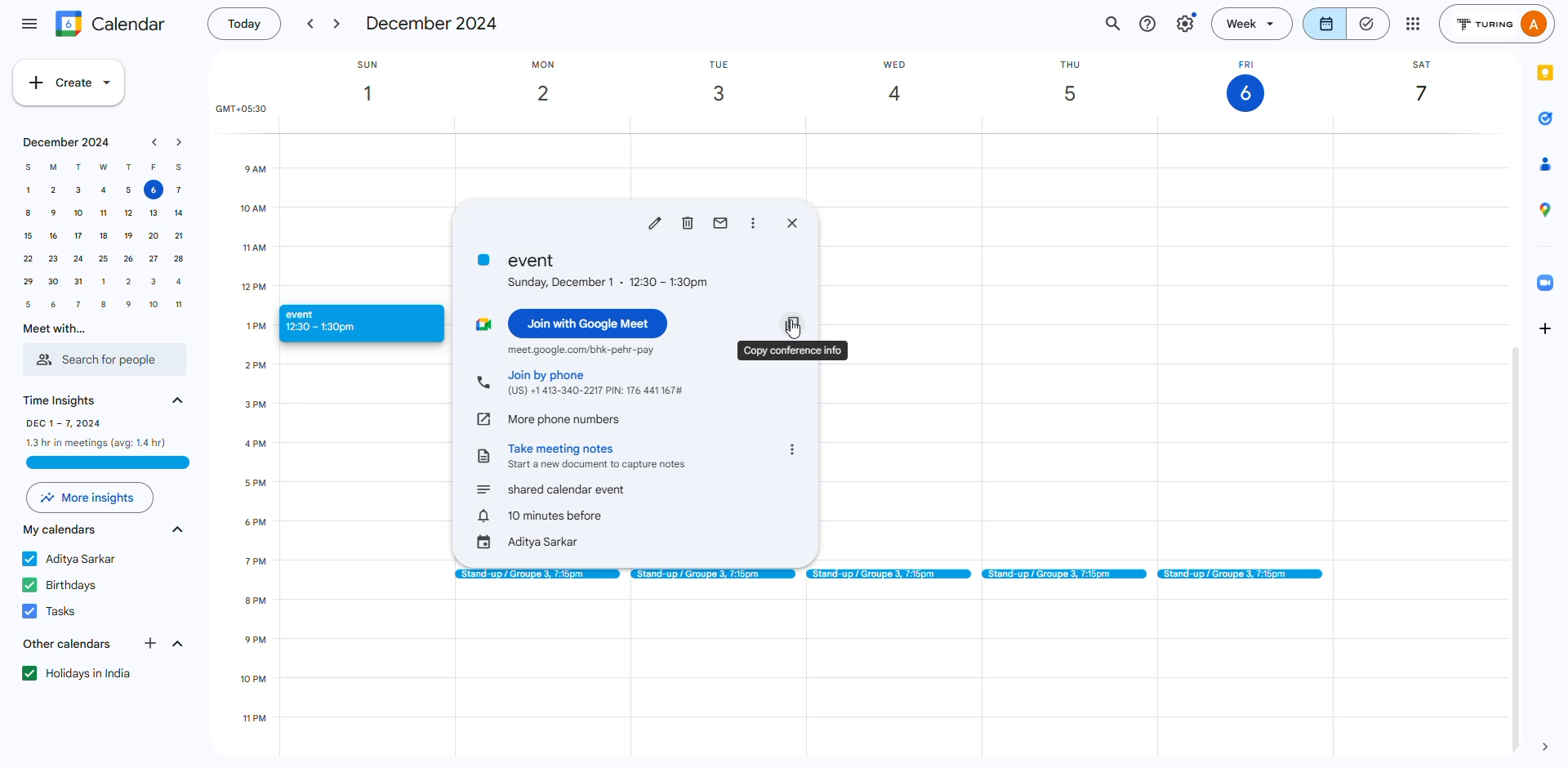 The image size is (1568, 768). Describe the element at coordinates (54, 191) in the screenshot. I see `2` at that location.